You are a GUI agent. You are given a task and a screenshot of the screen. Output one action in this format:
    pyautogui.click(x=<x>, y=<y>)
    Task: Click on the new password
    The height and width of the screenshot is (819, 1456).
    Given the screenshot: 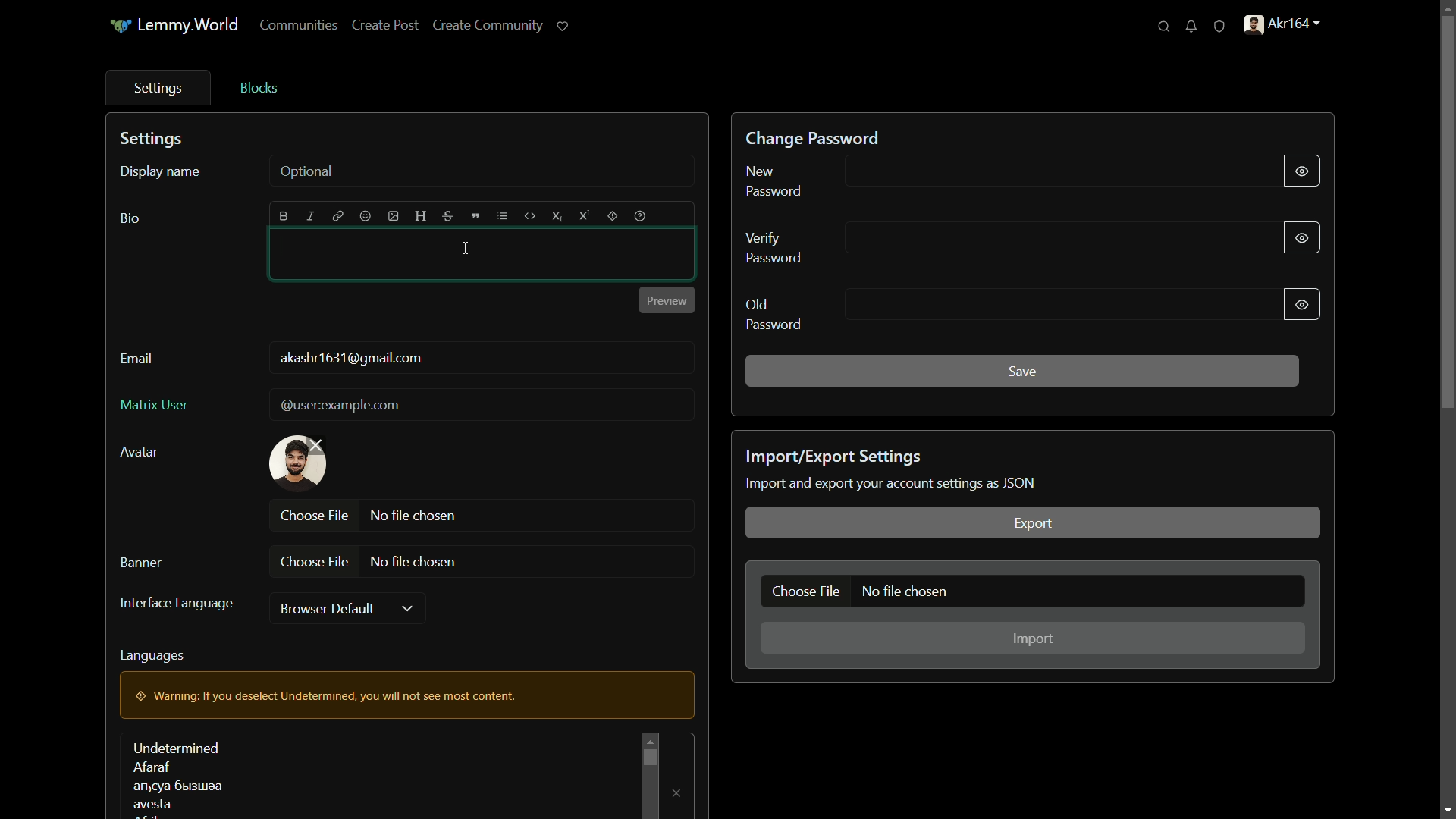 What is the action you would take?
    pyautogui.click(x=775, y=181)
    